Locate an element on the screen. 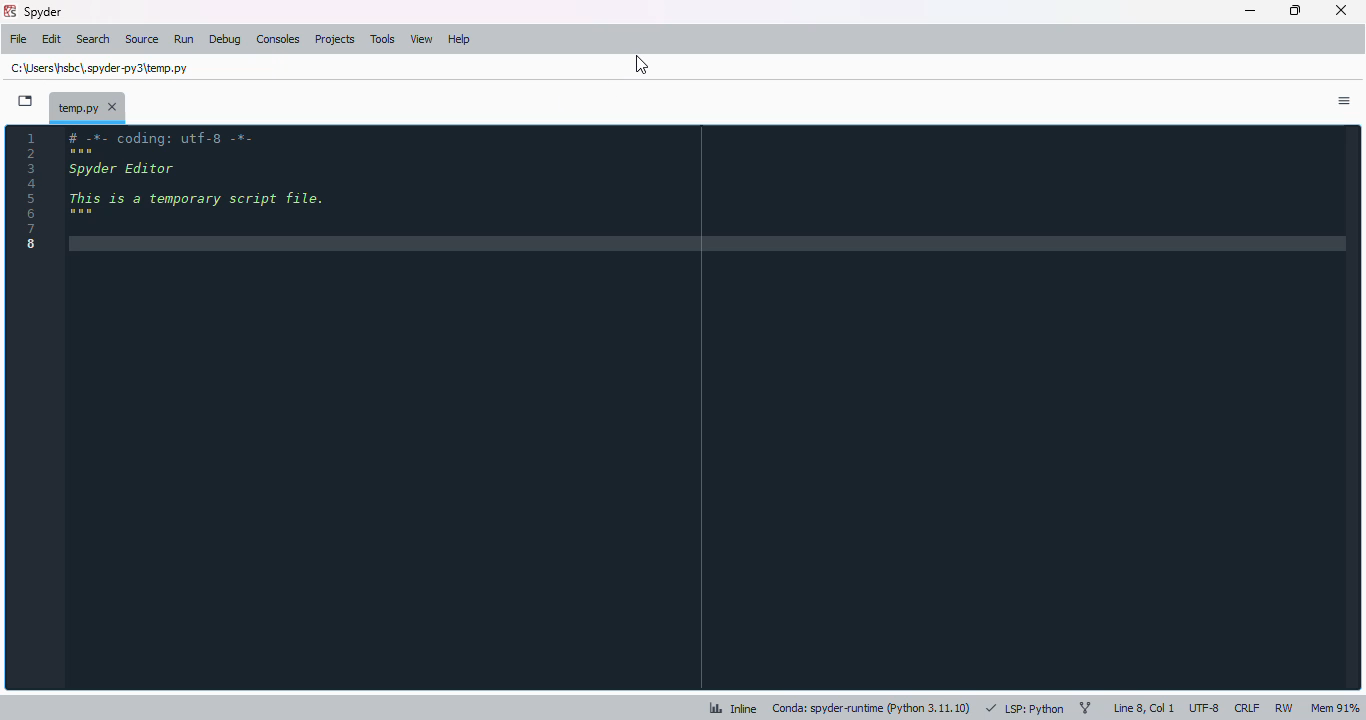 The height and width of the screenshot is (720, 1366). close is located at coordinates (1341, 10).